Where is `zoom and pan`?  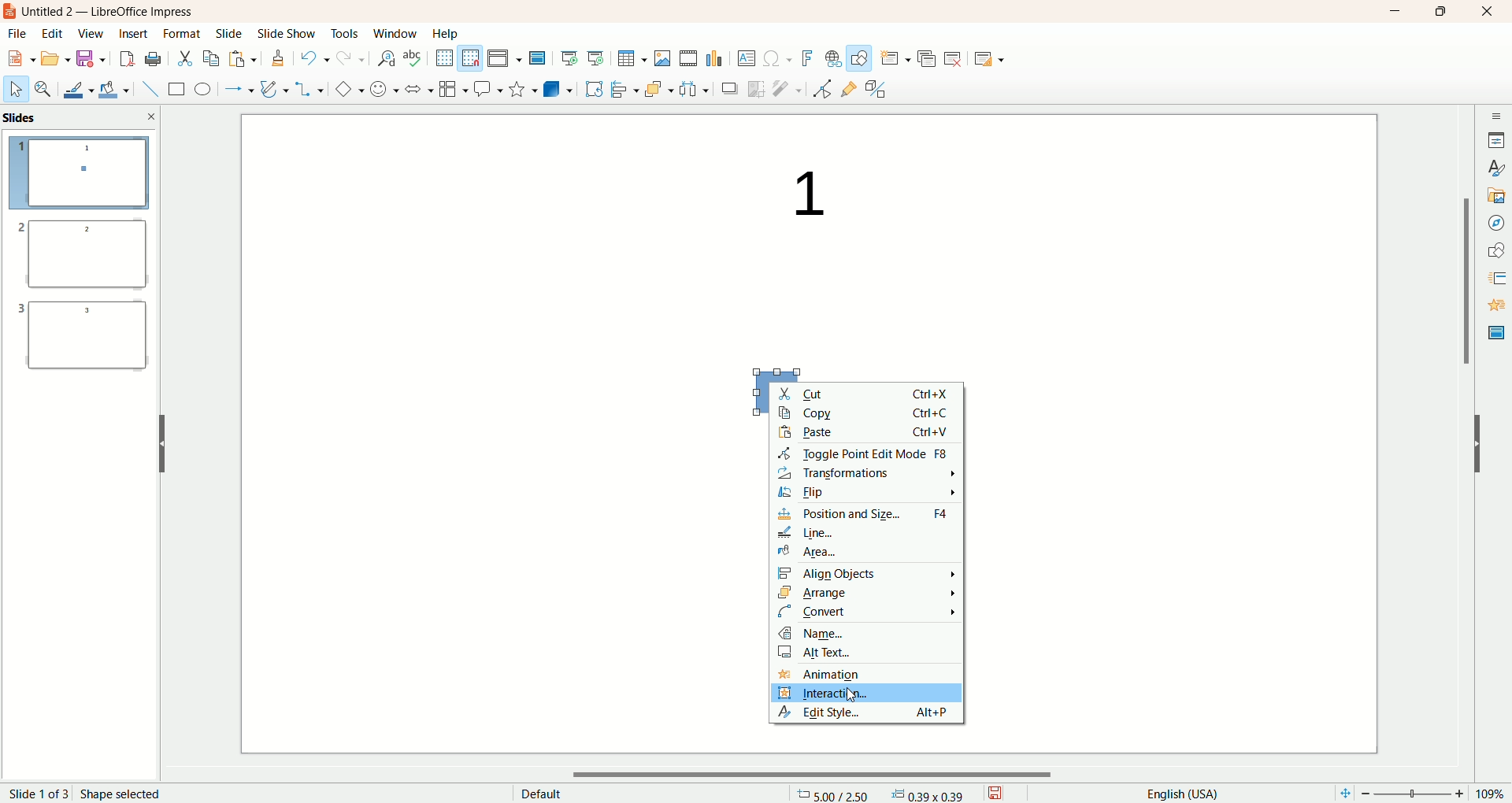
zoom and pan is located at coordinates (42, 90).